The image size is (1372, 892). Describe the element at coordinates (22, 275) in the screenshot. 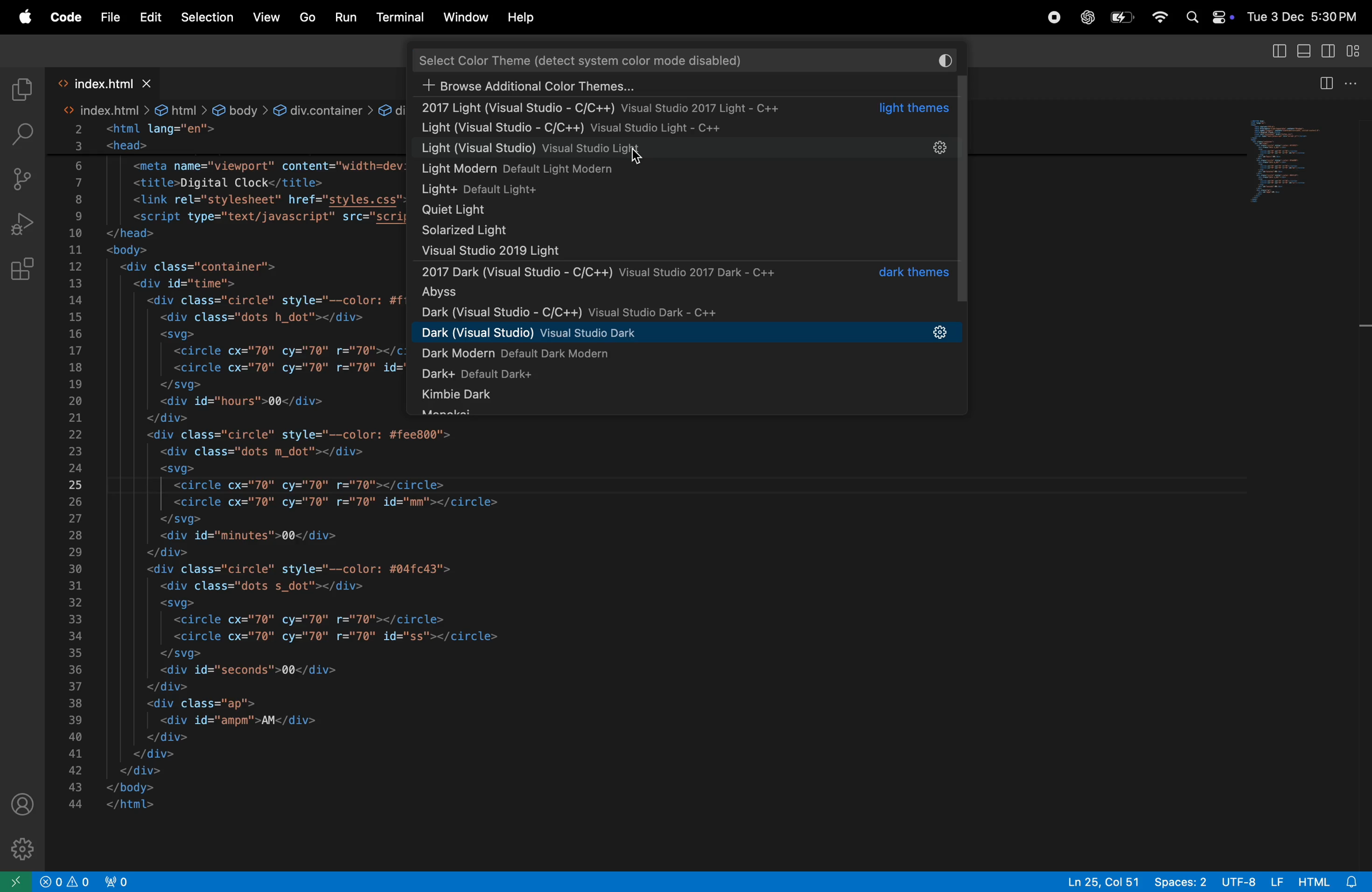

I see `extenstions` at that location.